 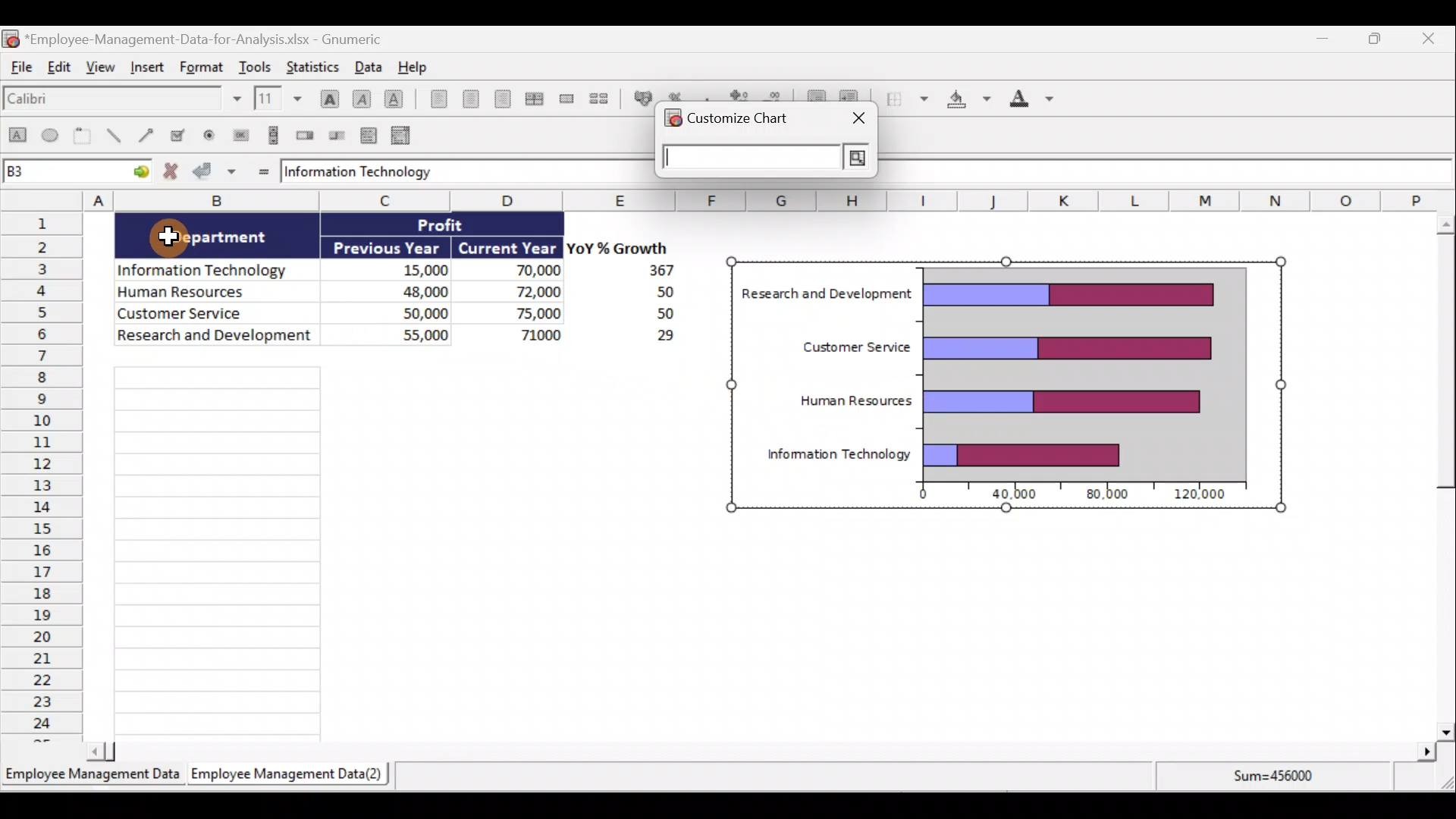 I want to click on Sheet 1, so click(x=93, y=777).